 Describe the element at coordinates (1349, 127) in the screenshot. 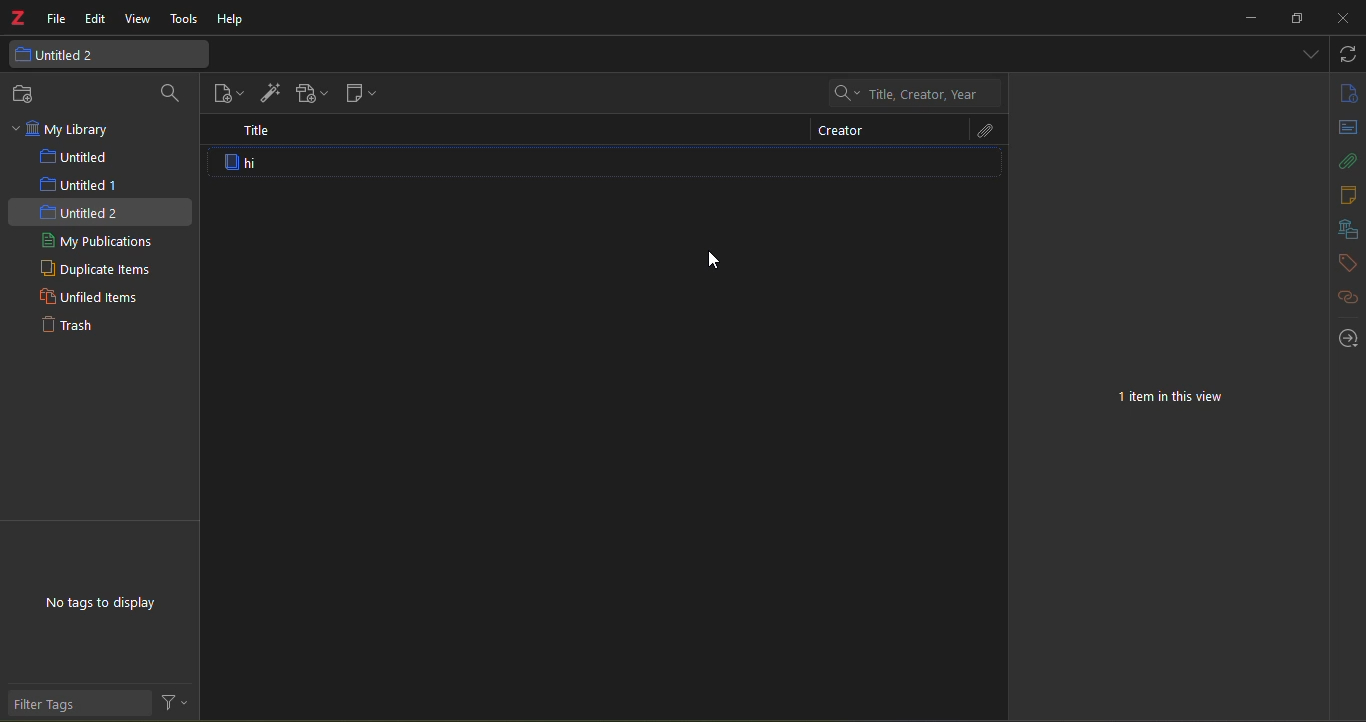

I see `abstract` at that location.